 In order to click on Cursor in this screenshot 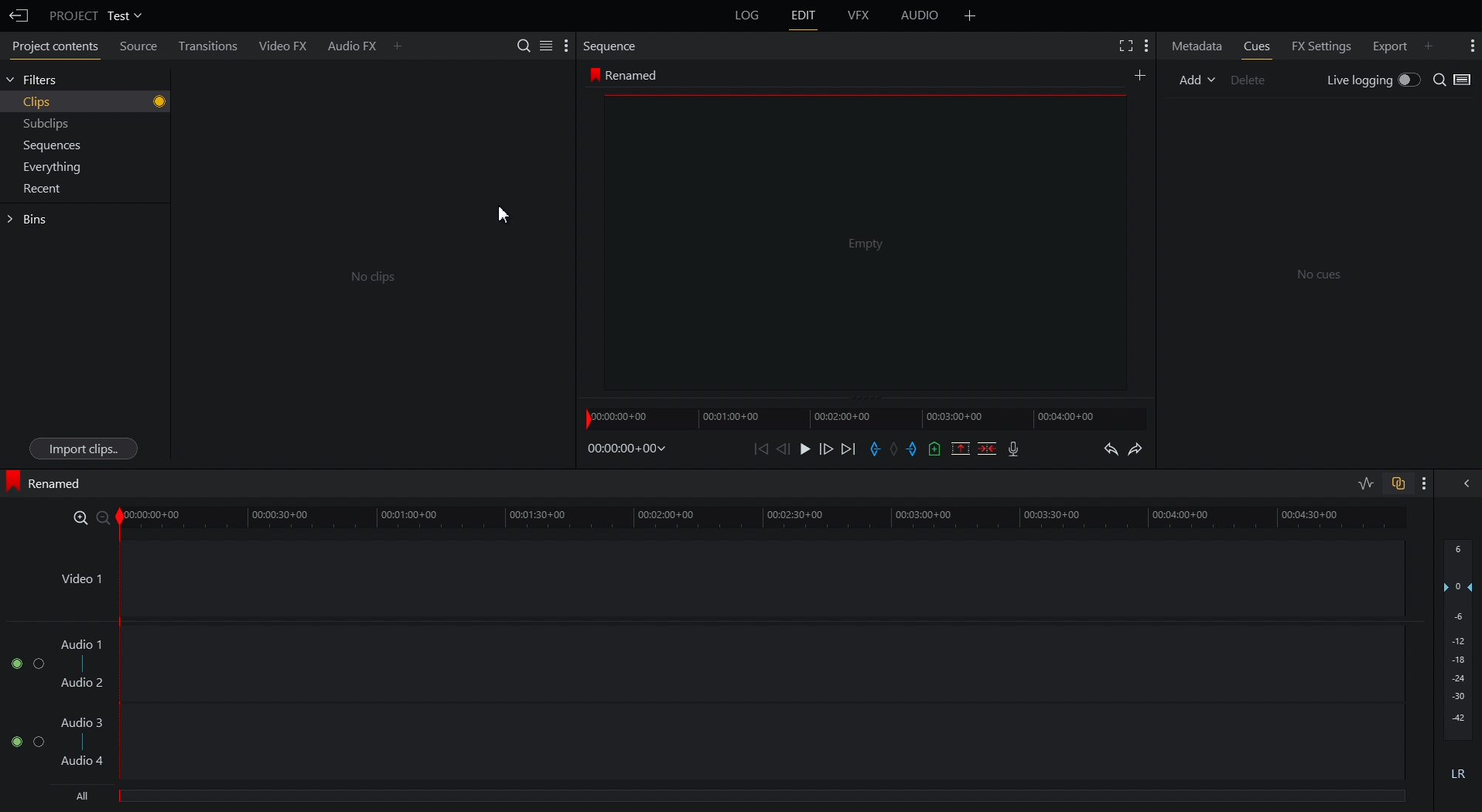, I will do `click(506, 220)`.